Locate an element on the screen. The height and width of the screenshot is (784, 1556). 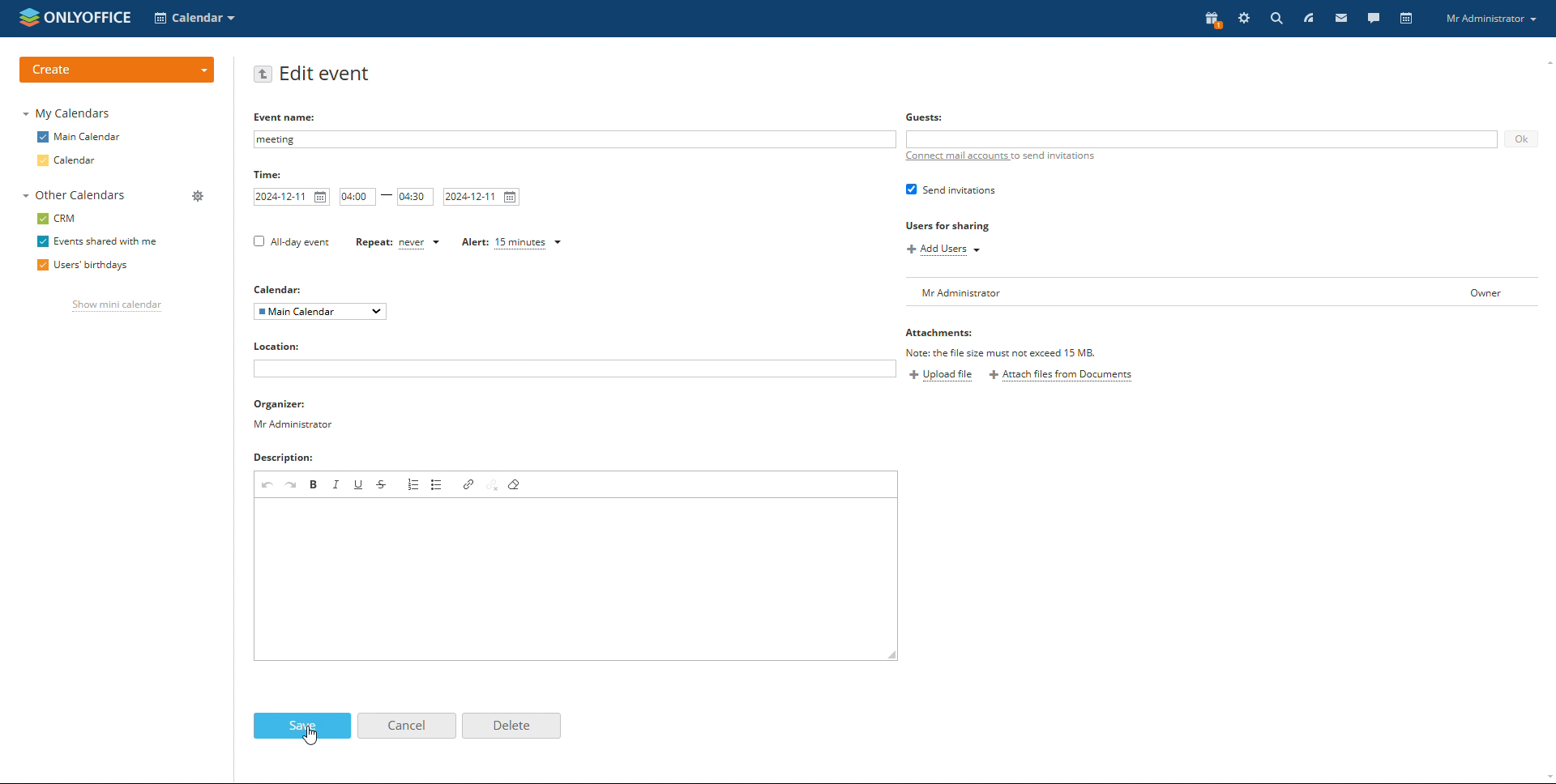
Time: is located at coordinates (268, 175).